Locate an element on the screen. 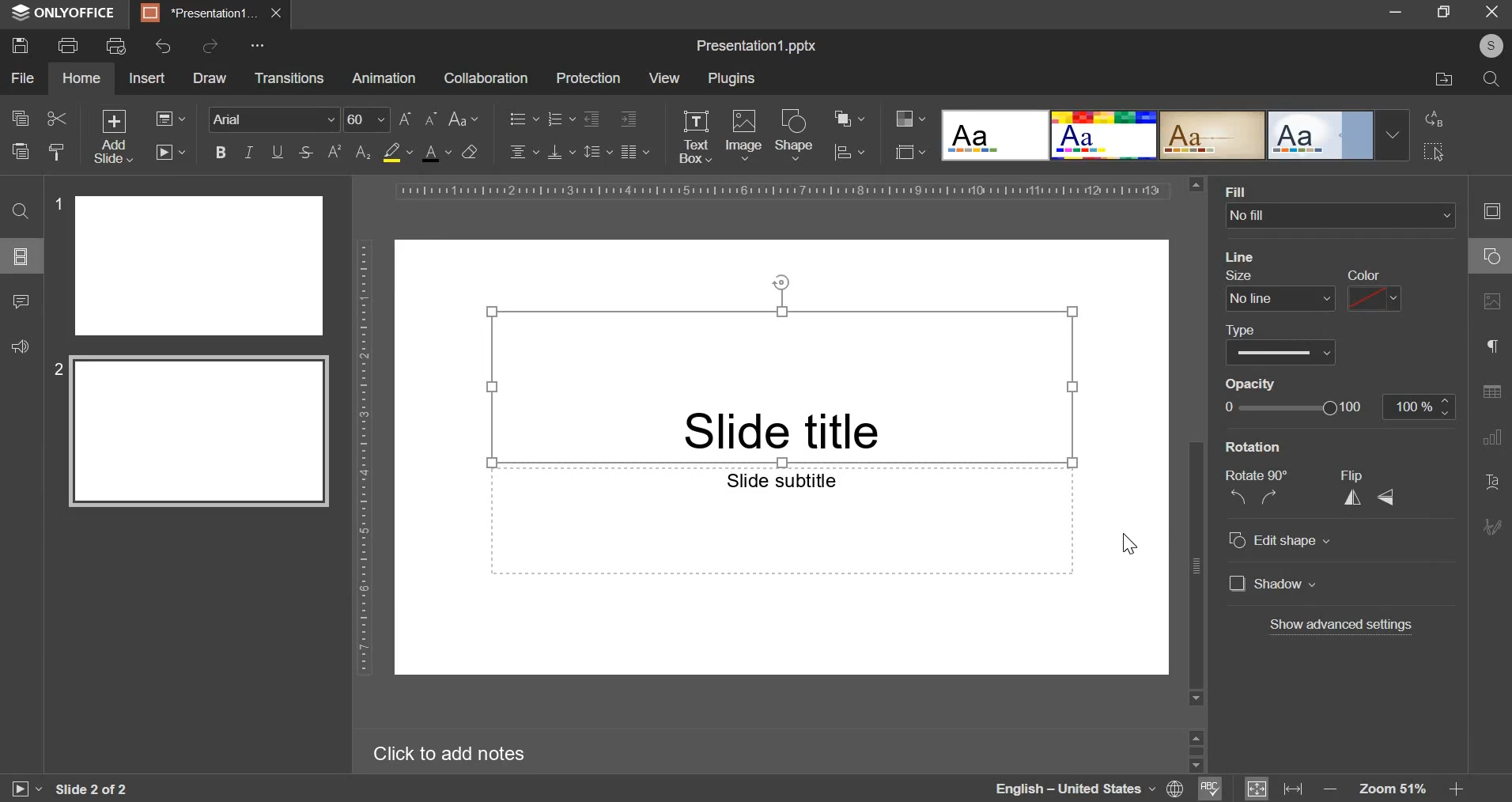 The image size is (1512, 802). find is located at coordinates (20, 210).